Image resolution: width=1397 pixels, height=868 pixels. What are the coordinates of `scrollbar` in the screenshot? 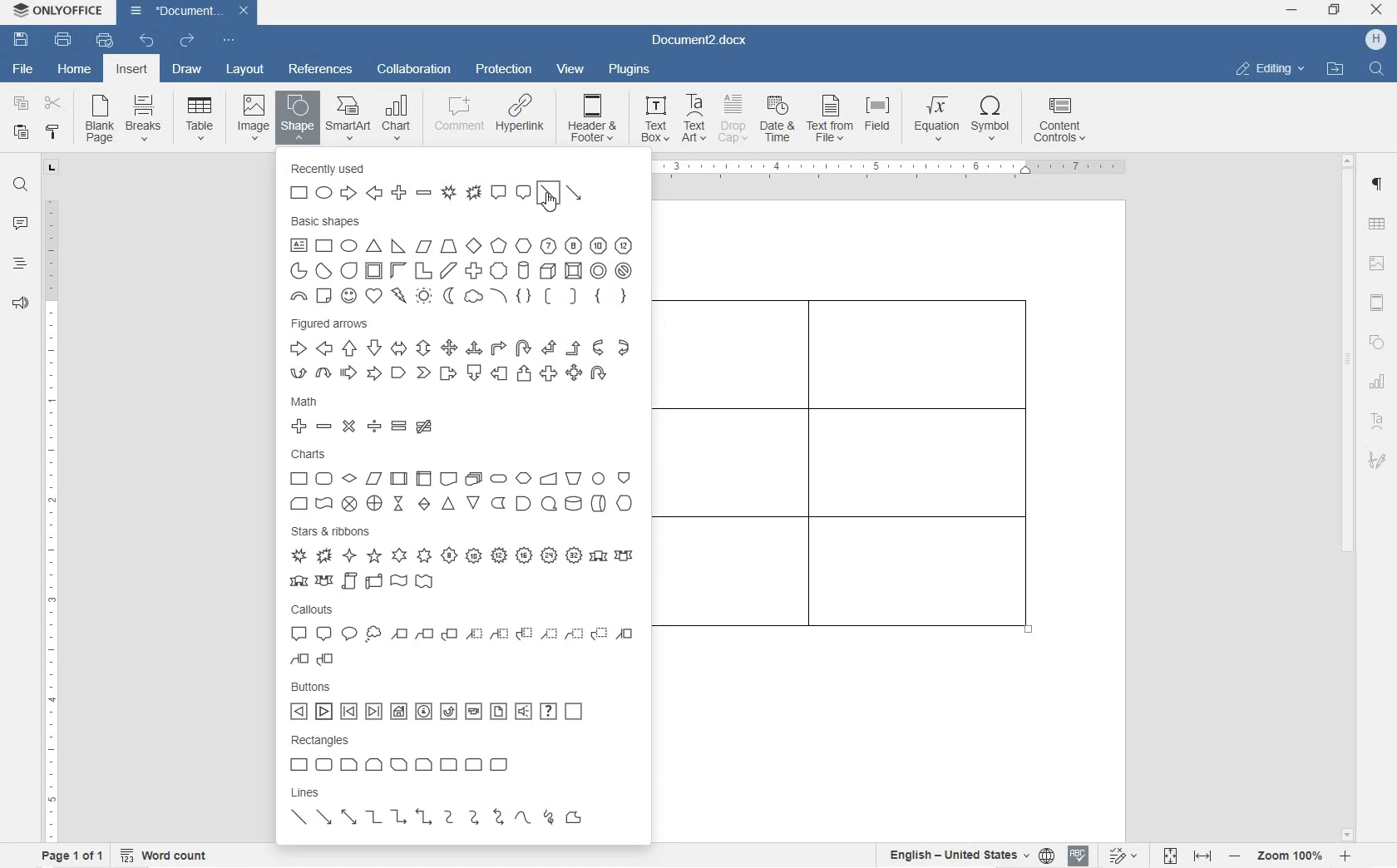 It's located at (1348, 496).